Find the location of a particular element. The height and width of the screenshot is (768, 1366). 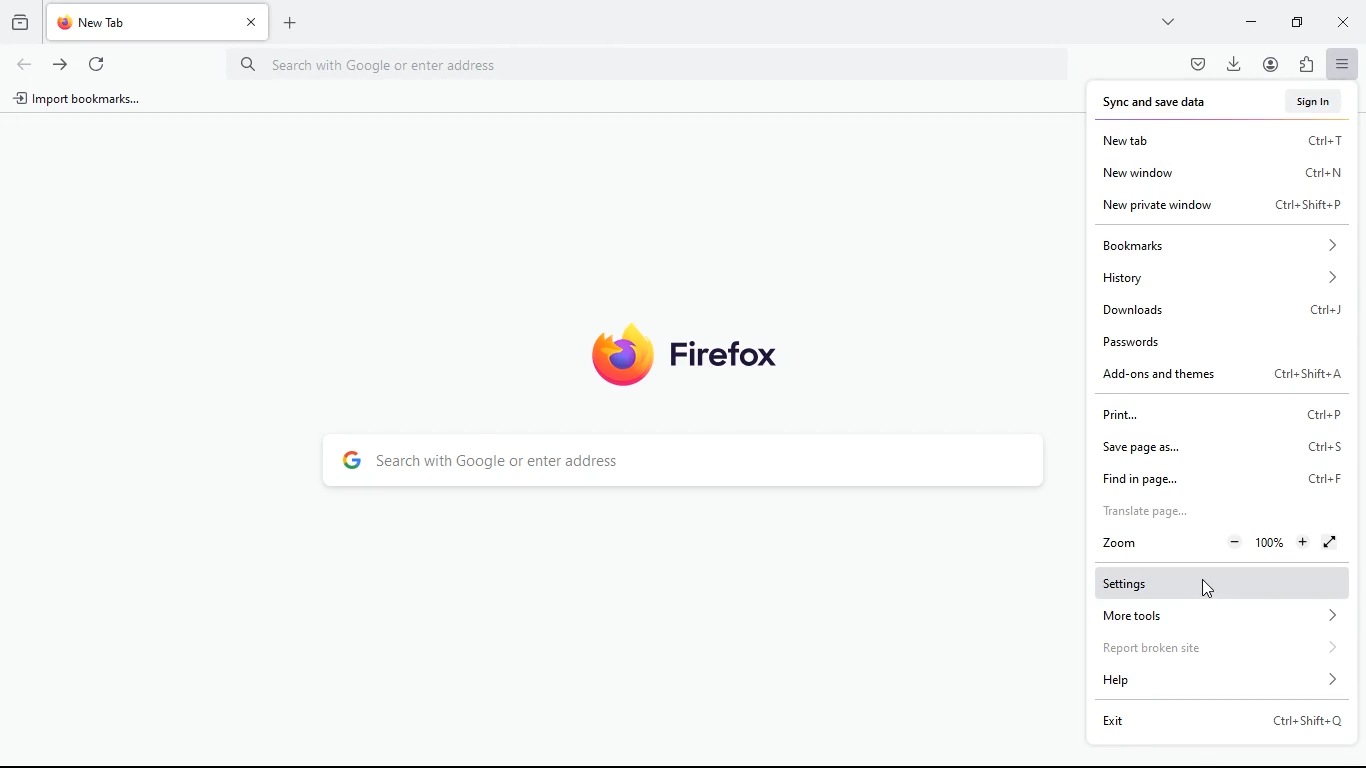

new window is located at coordinates (1220, 171).